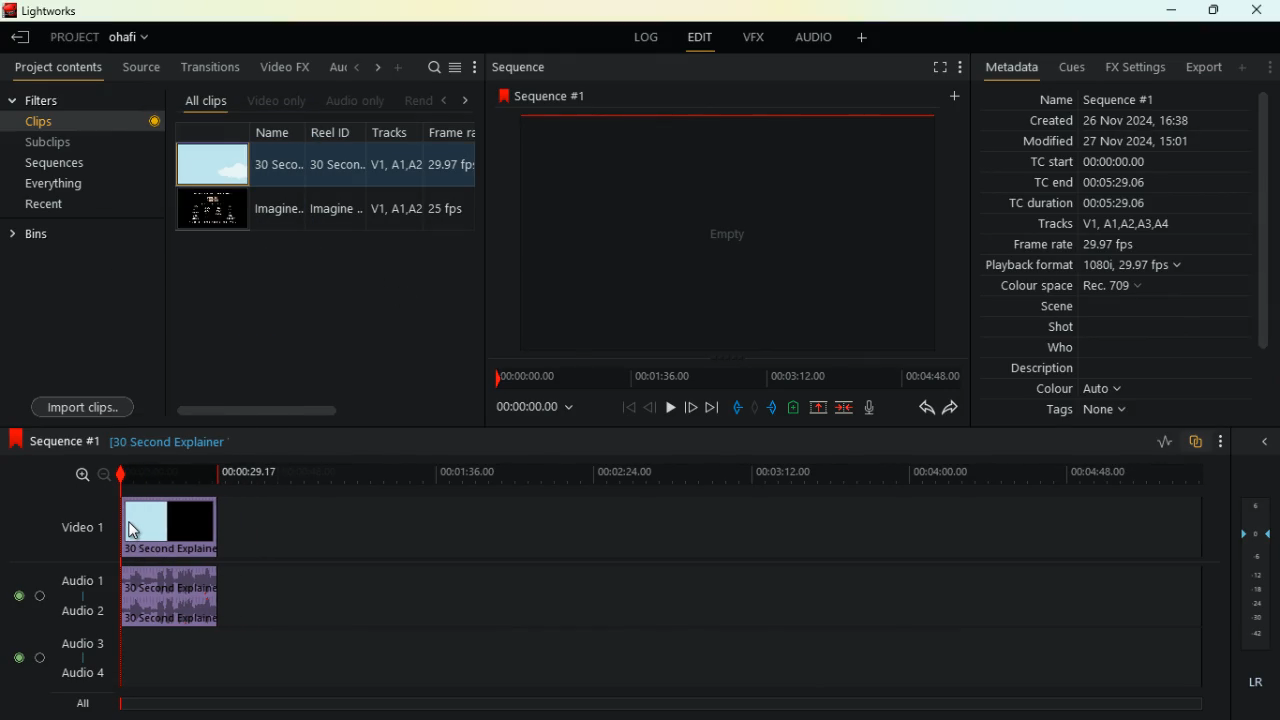  What do you see at coordinates (83, 476) in the screenshot?
I see `zoom` at bounding box center [83, 476].